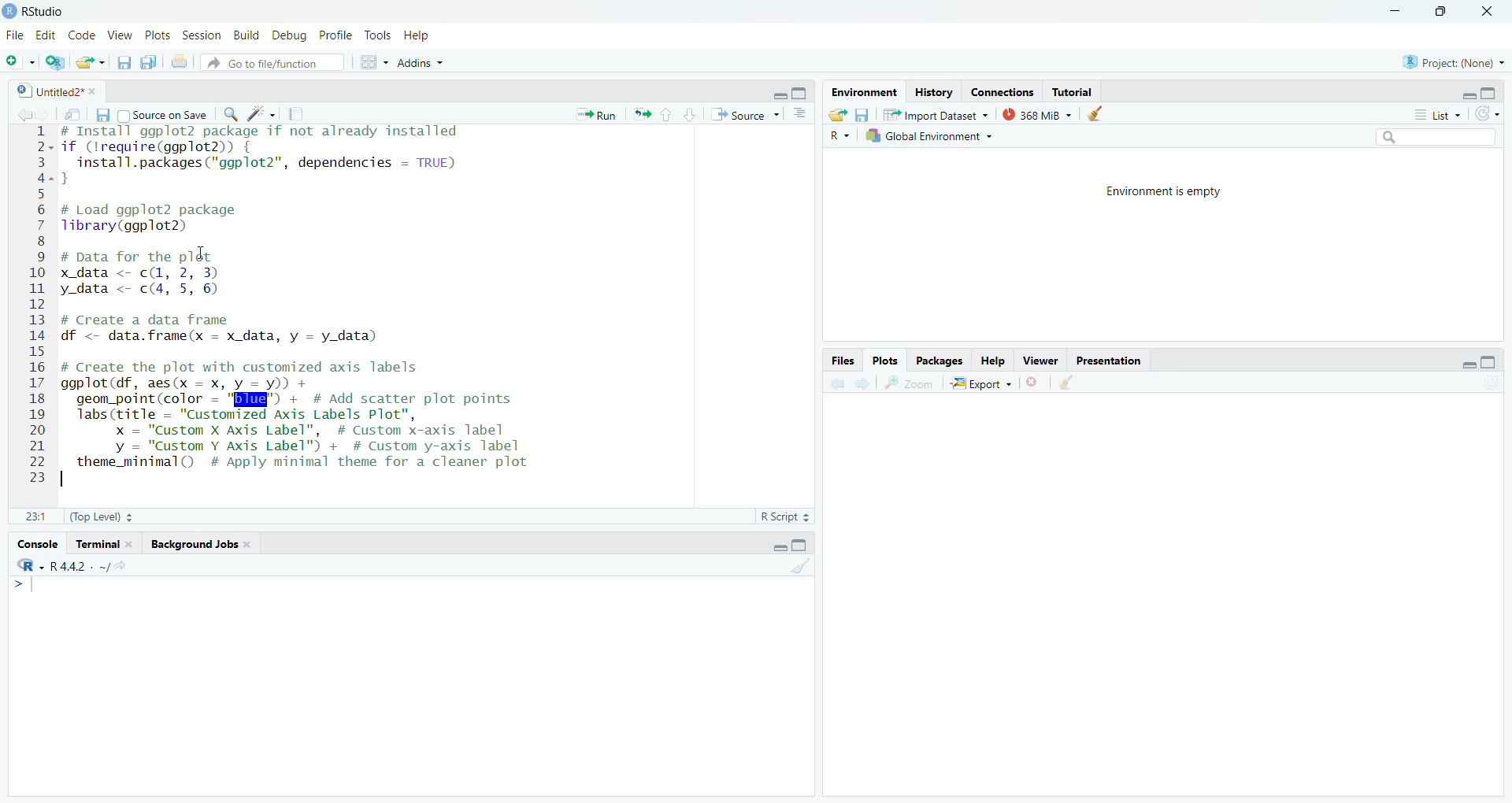 This screenshot has width=1512, height=803. Describe the element at coordinates (834, 361) in the screenshot. I see `Files` at that location.